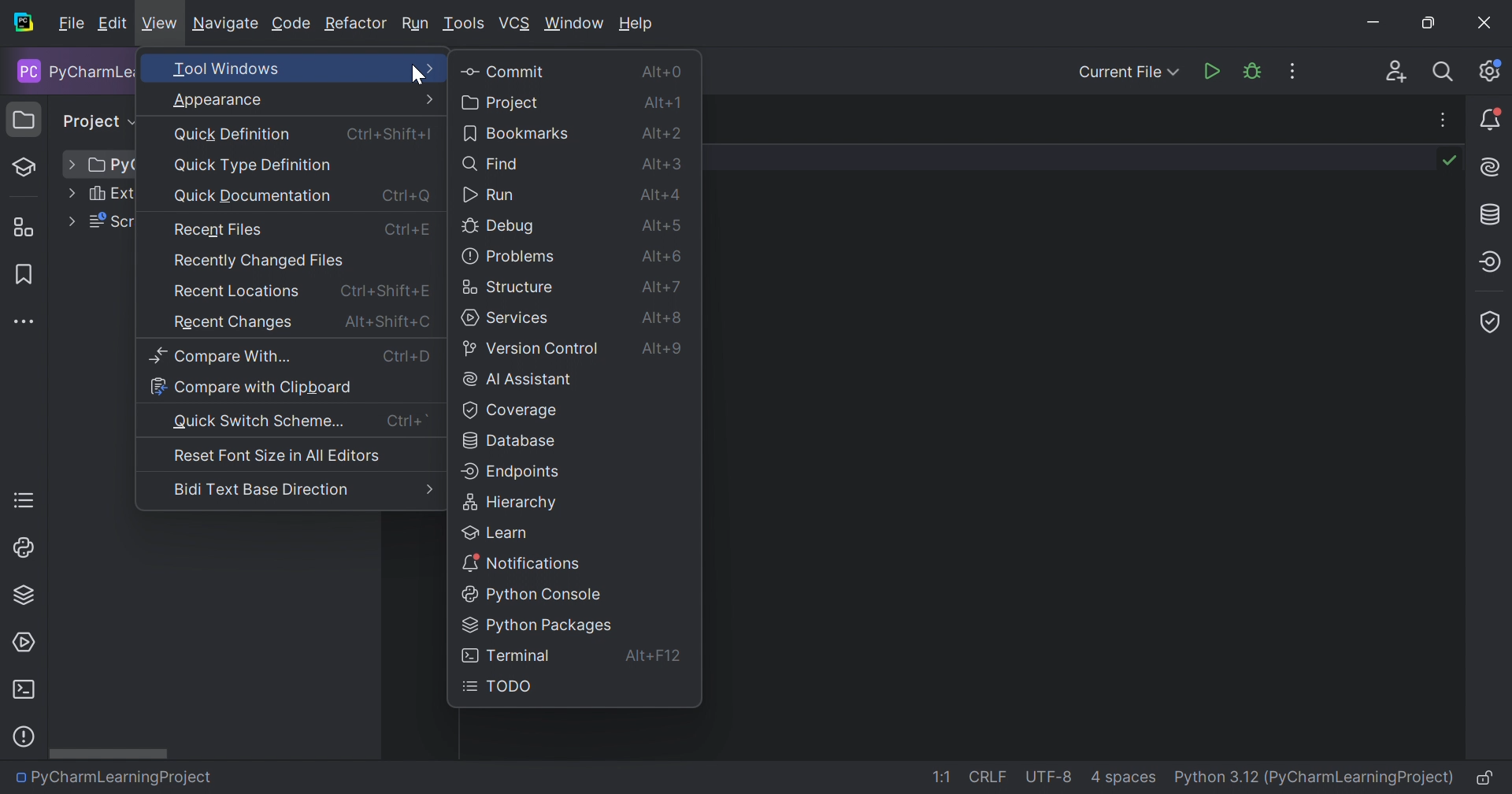 Image resolution: width=1512 pixels, height=794 pixels. I want to click on Help, so click(23, 737).